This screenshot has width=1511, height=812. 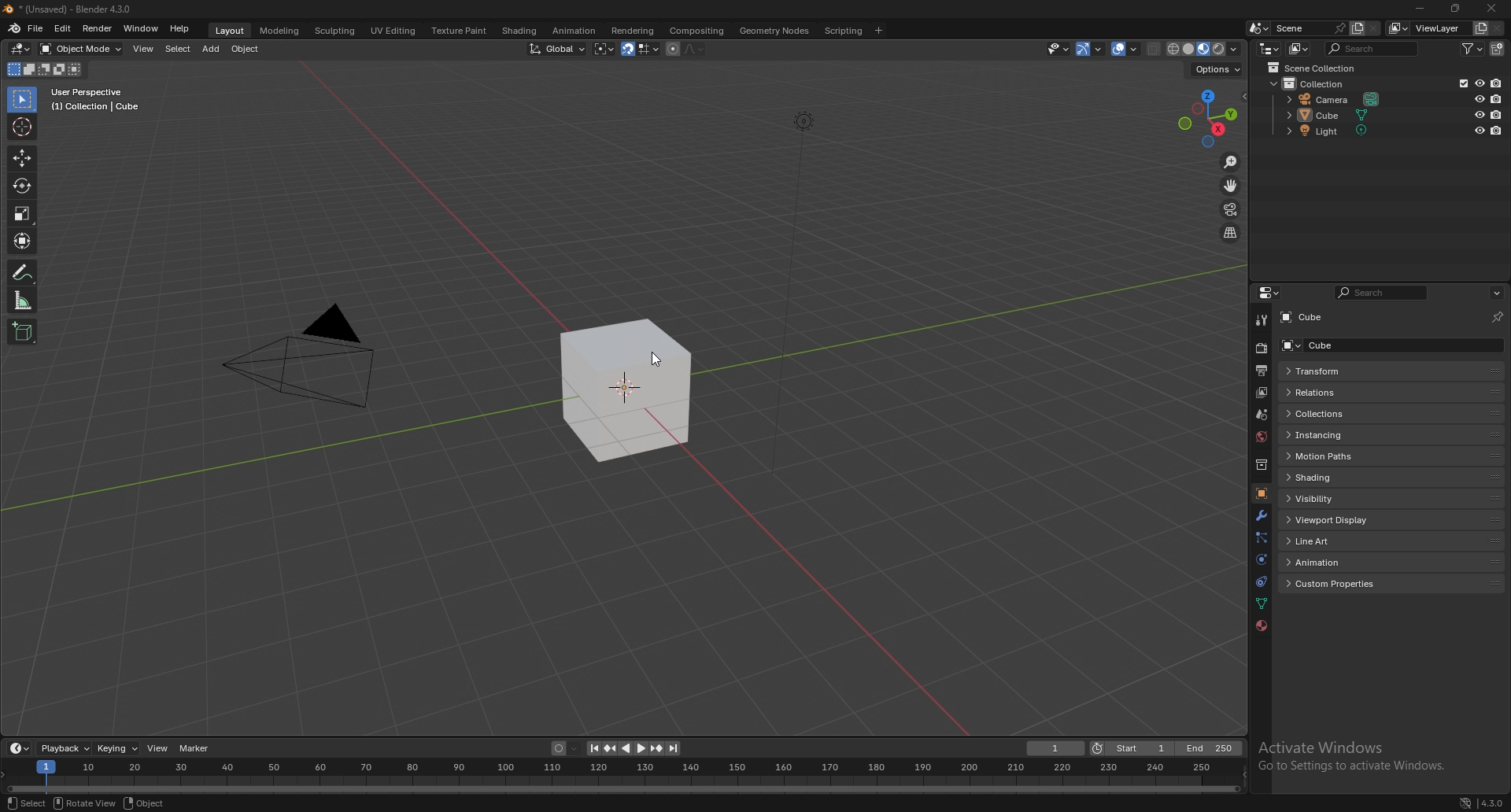 I want to click on display mode, so click(x=1300, y=49).